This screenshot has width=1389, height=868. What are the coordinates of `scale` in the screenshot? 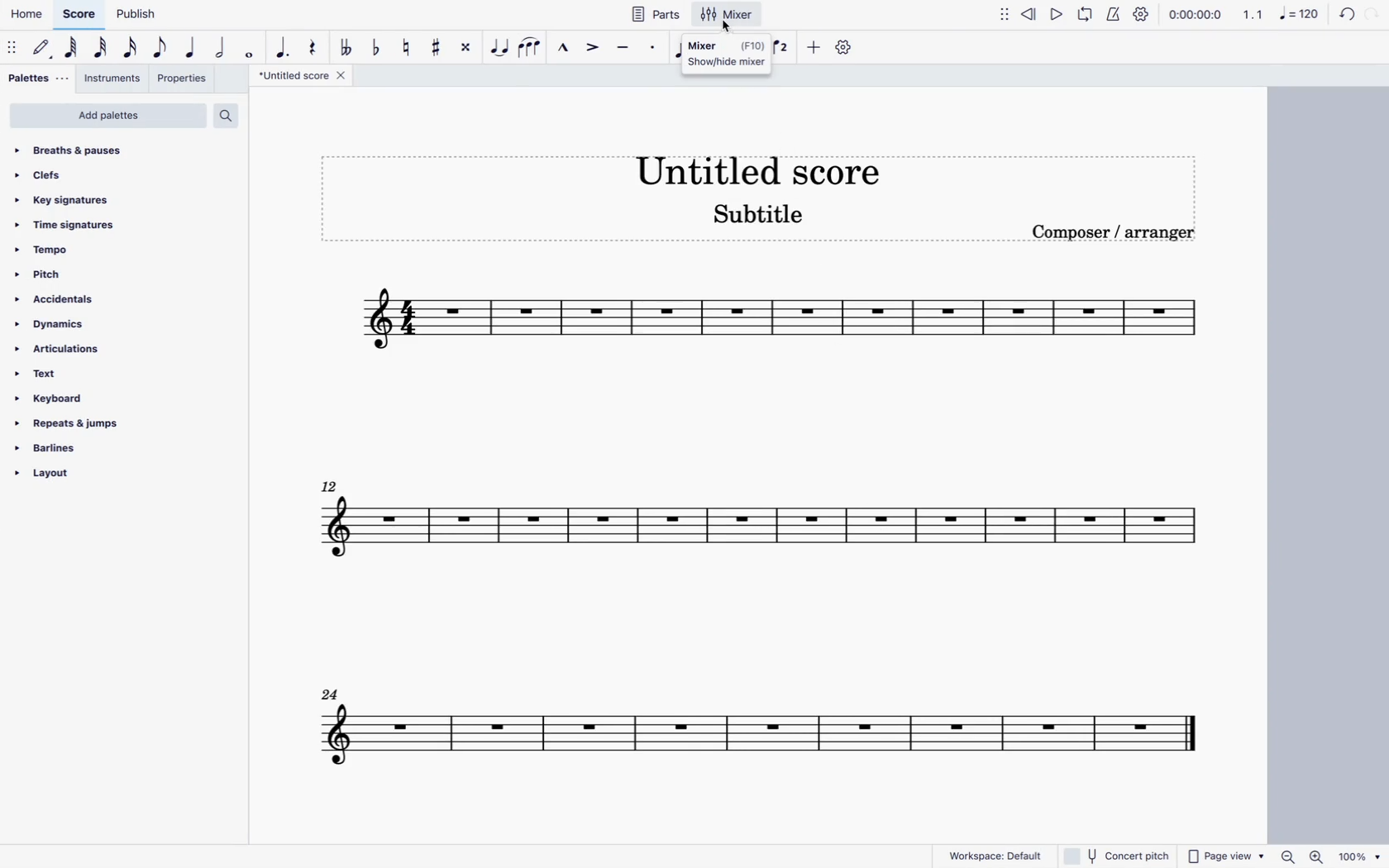 It's located at (759, 522).